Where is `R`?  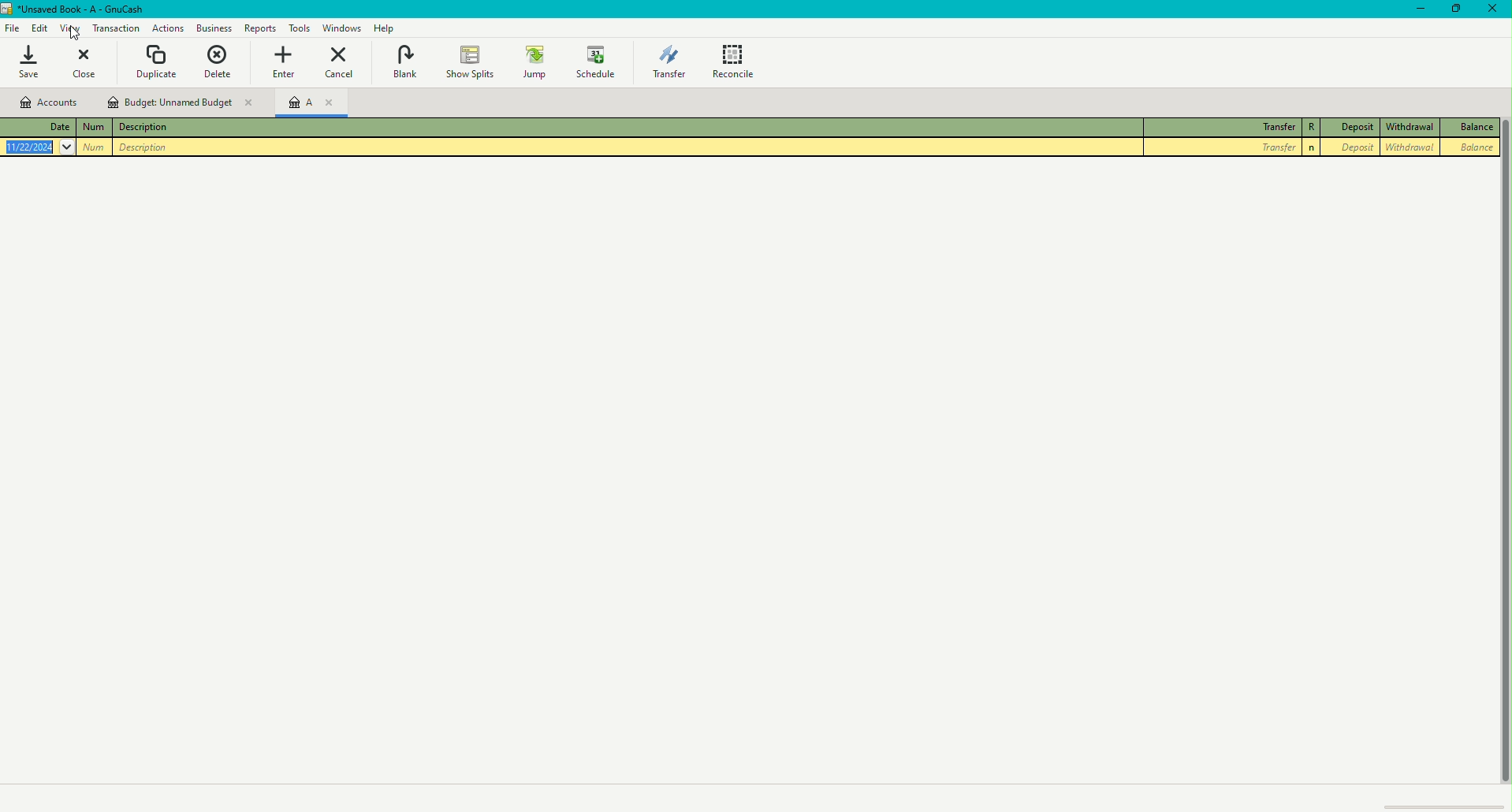 R is located at coordinates (1312, 129).